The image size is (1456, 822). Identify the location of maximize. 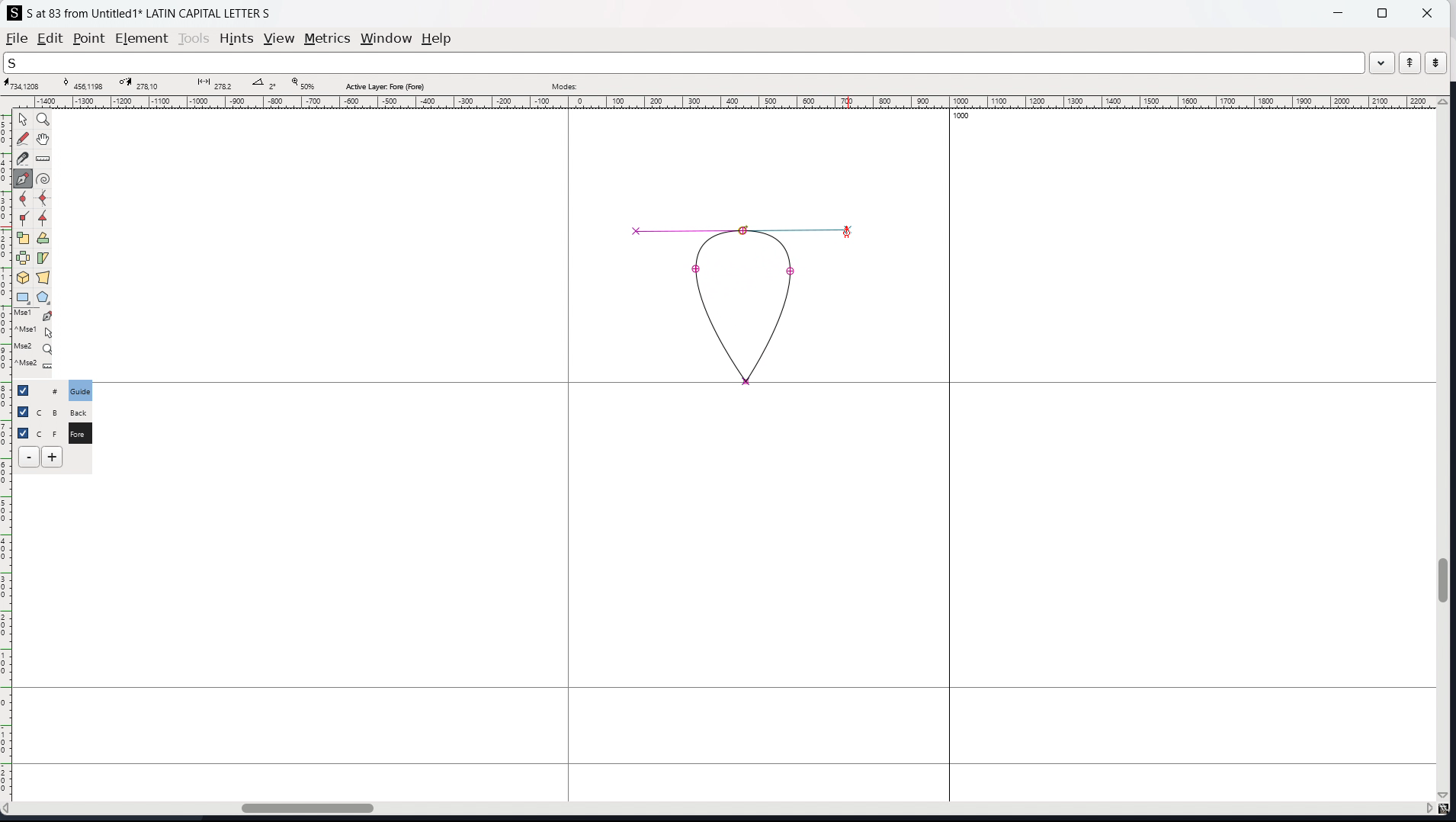
(1382, 12).